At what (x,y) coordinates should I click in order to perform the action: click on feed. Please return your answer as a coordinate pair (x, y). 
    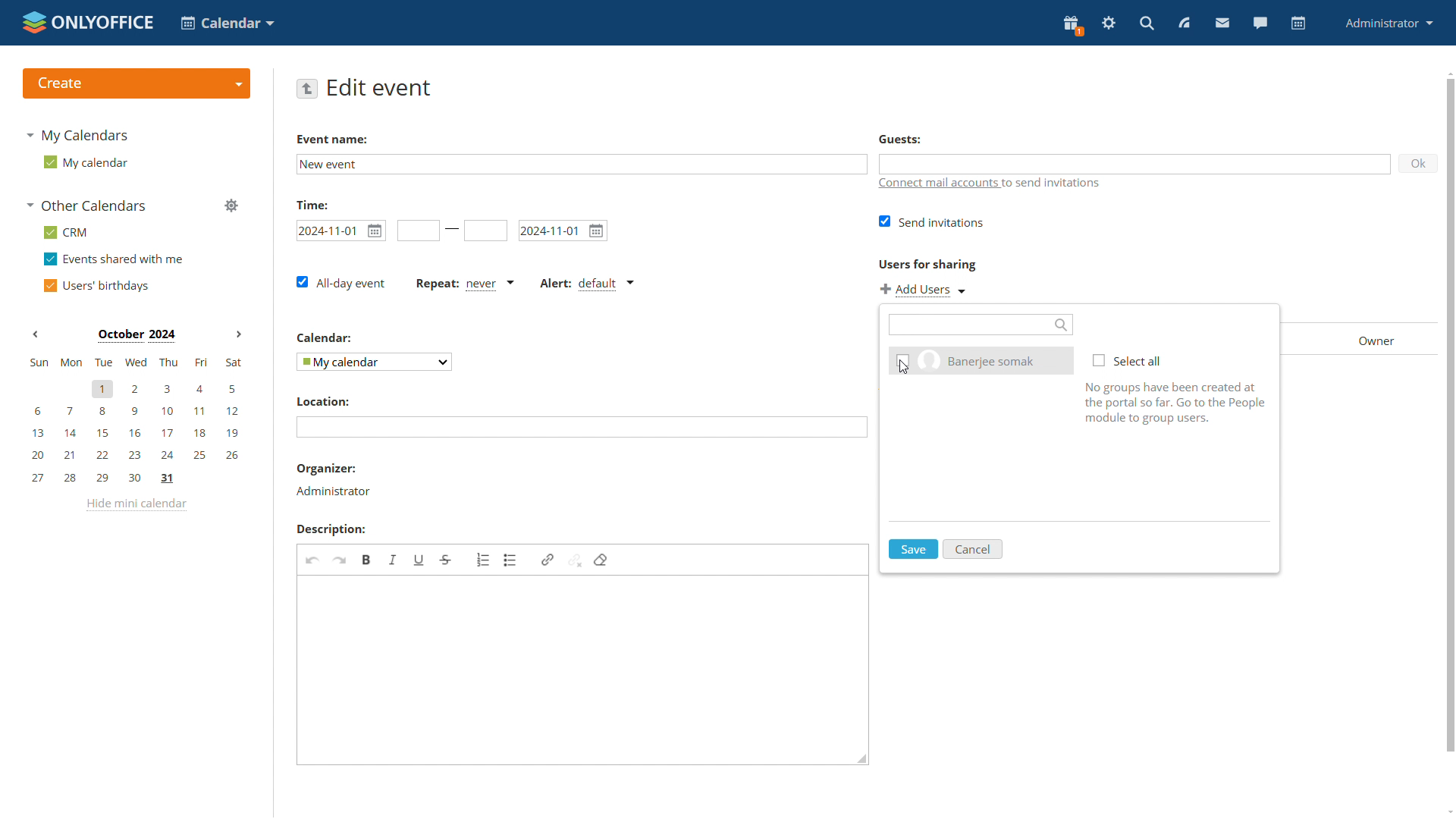
    Looking at the image, I should click on (1185, 24).